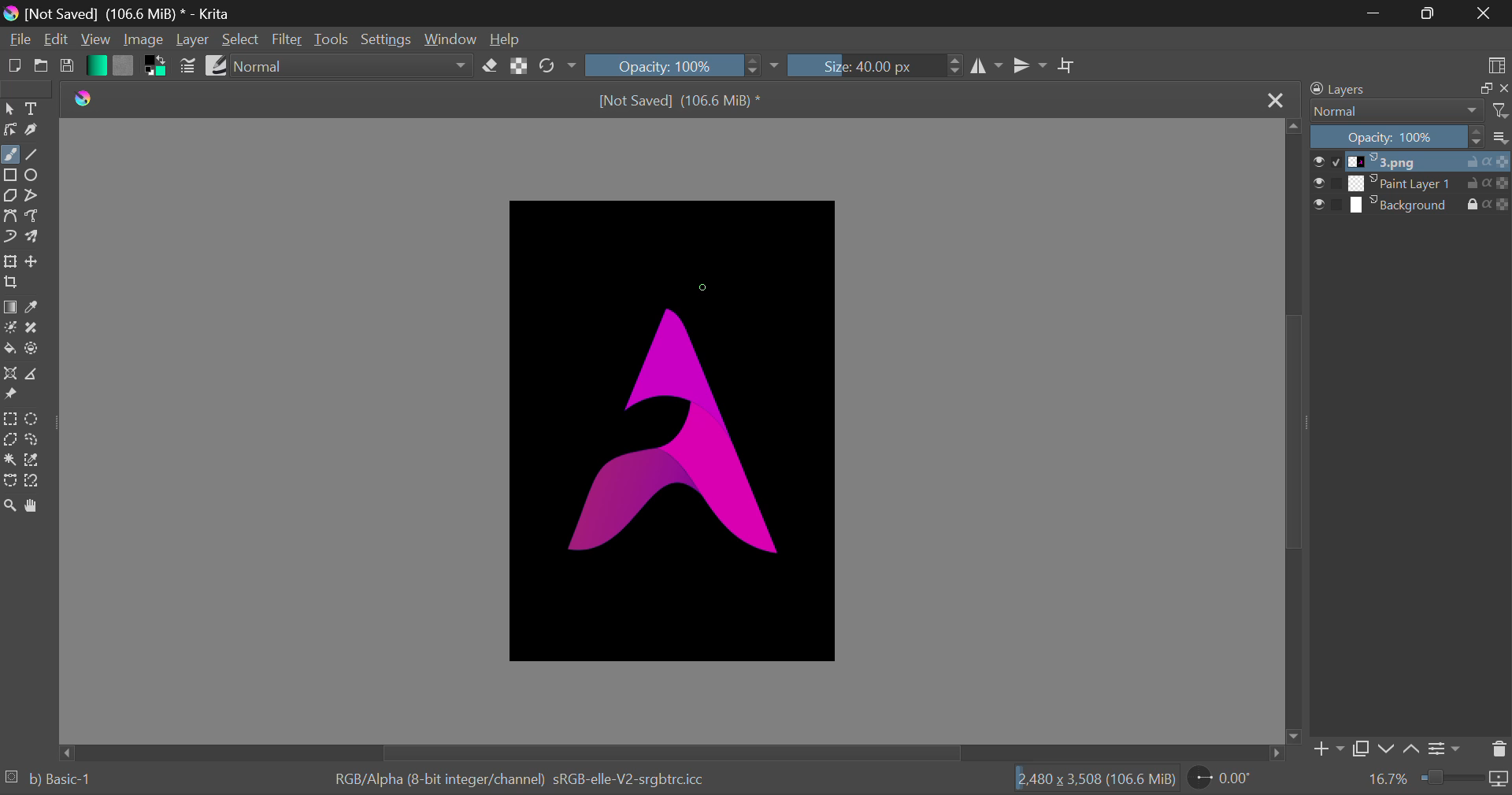  Describe the element at coordinates (450, 39) in the screenshot. I see `Window` at that location.